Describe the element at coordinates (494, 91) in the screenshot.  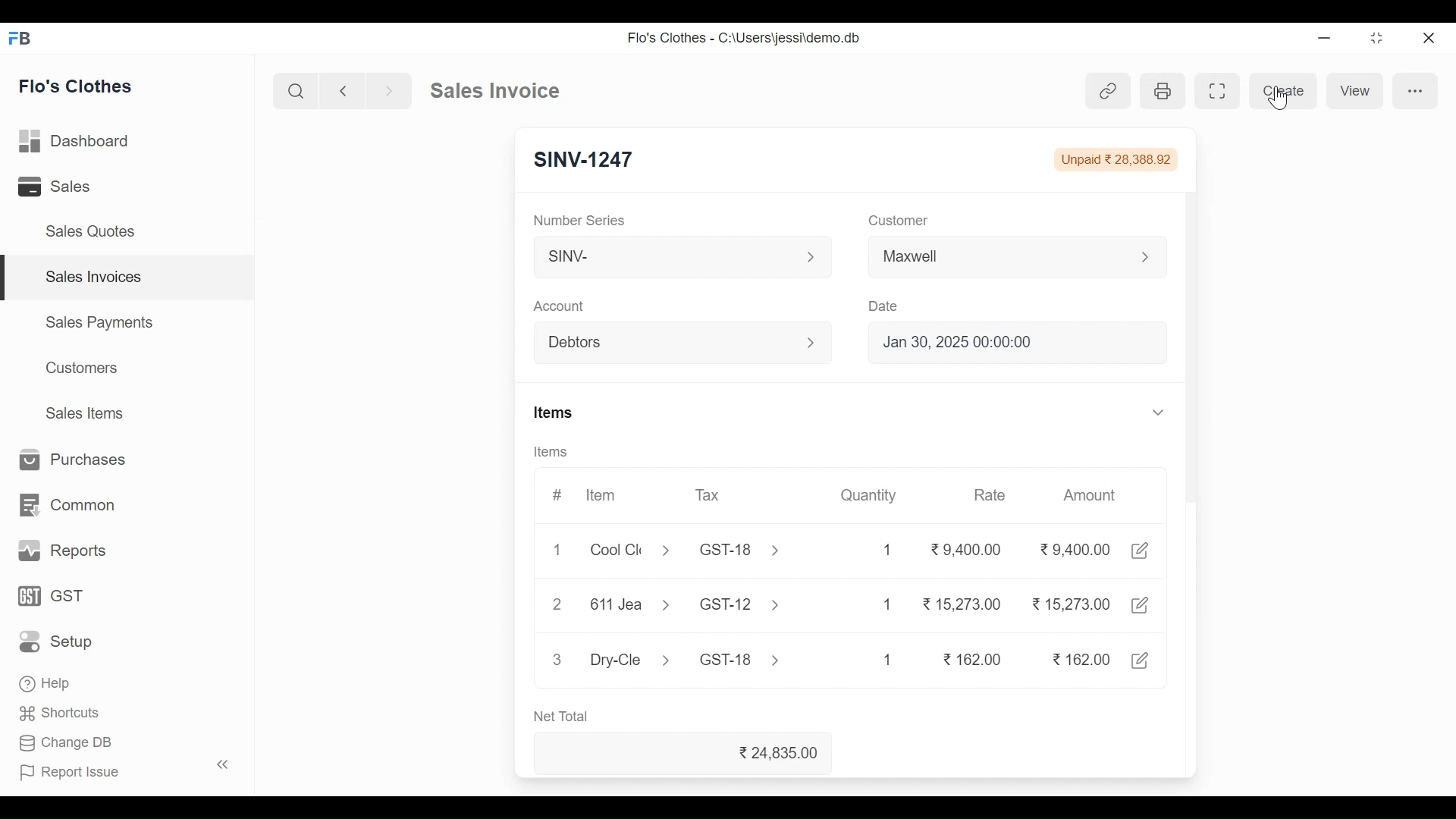
I see `Sales Invoice` at that location.